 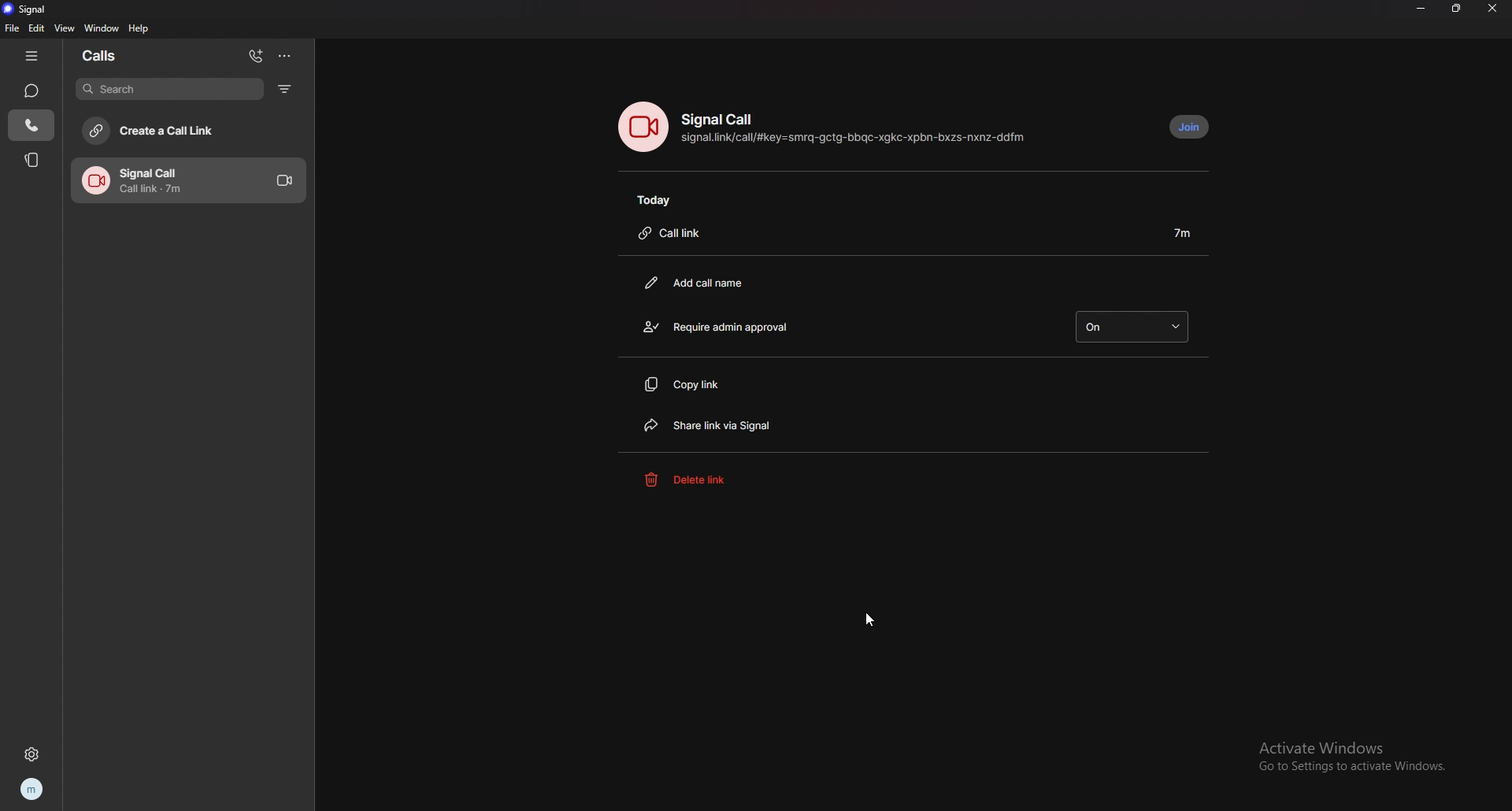 I want to click on hide tab, so click(x=35, y=56).